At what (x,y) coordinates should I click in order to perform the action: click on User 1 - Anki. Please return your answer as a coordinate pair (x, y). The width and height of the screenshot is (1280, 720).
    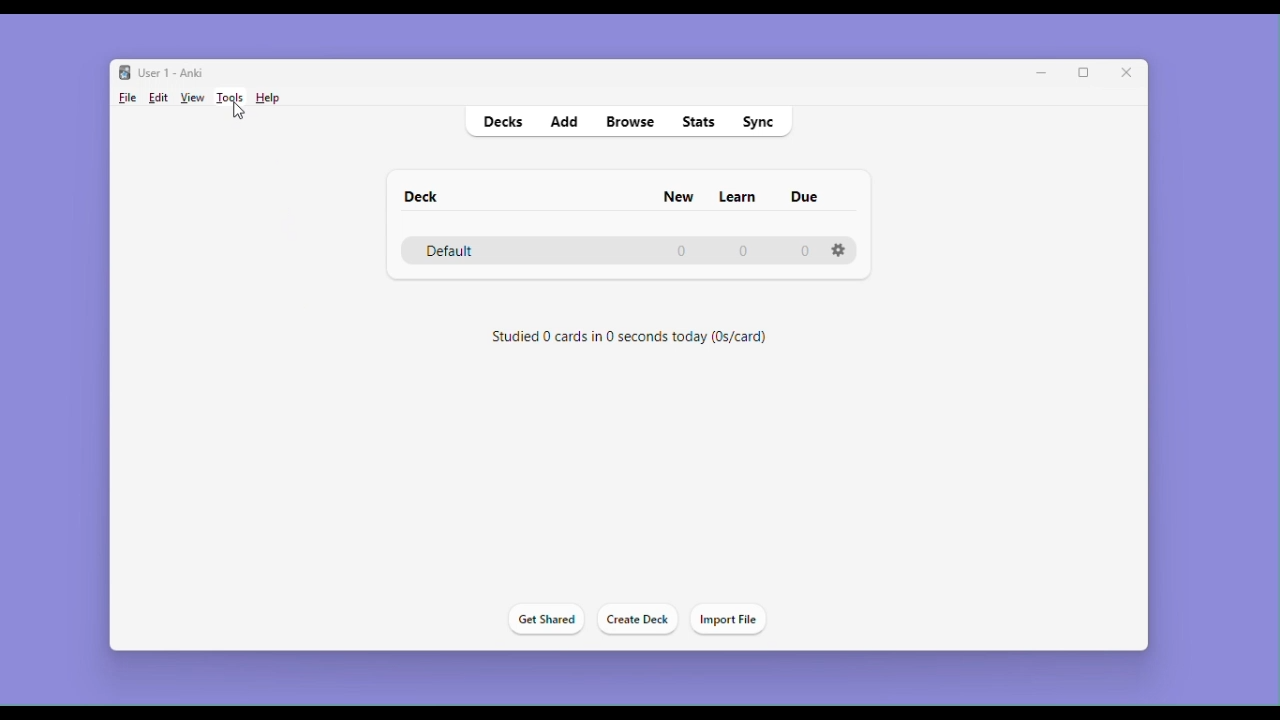
    Looking at the image, I should click on (167, 74).